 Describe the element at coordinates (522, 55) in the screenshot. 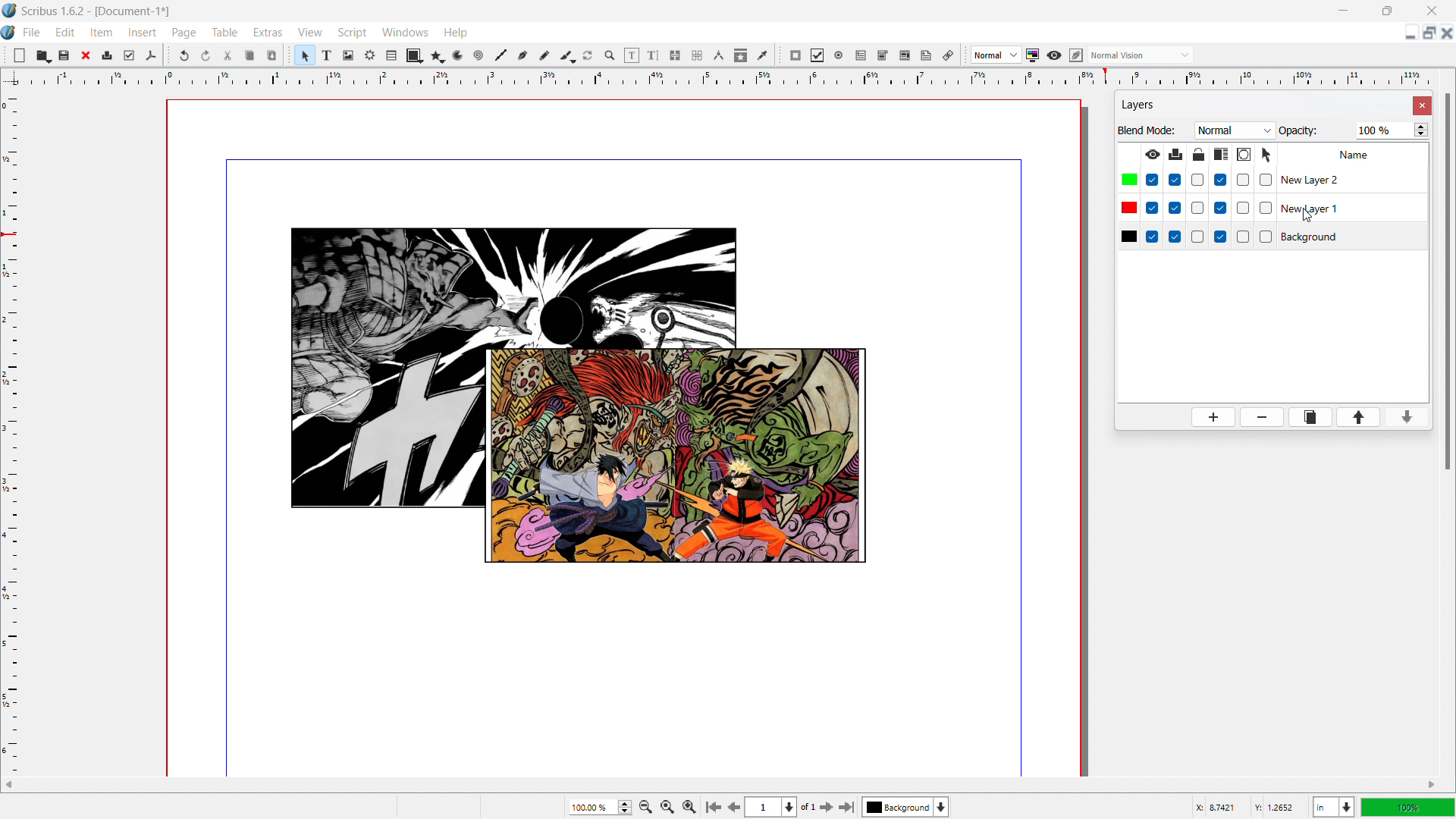

I see `bezier curve` at that location.